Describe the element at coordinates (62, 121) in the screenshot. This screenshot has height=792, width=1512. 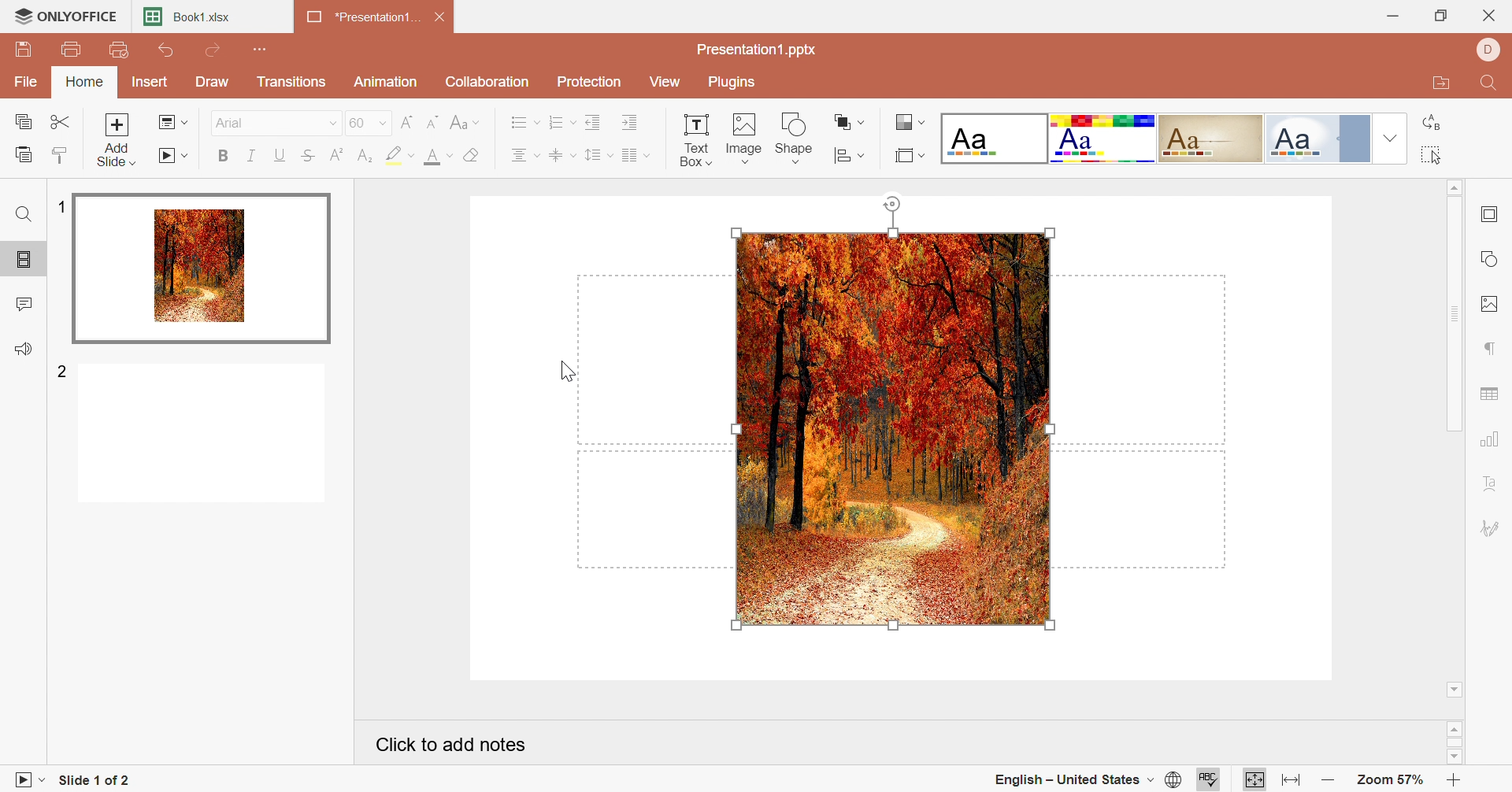
I see `Cut` at that location.